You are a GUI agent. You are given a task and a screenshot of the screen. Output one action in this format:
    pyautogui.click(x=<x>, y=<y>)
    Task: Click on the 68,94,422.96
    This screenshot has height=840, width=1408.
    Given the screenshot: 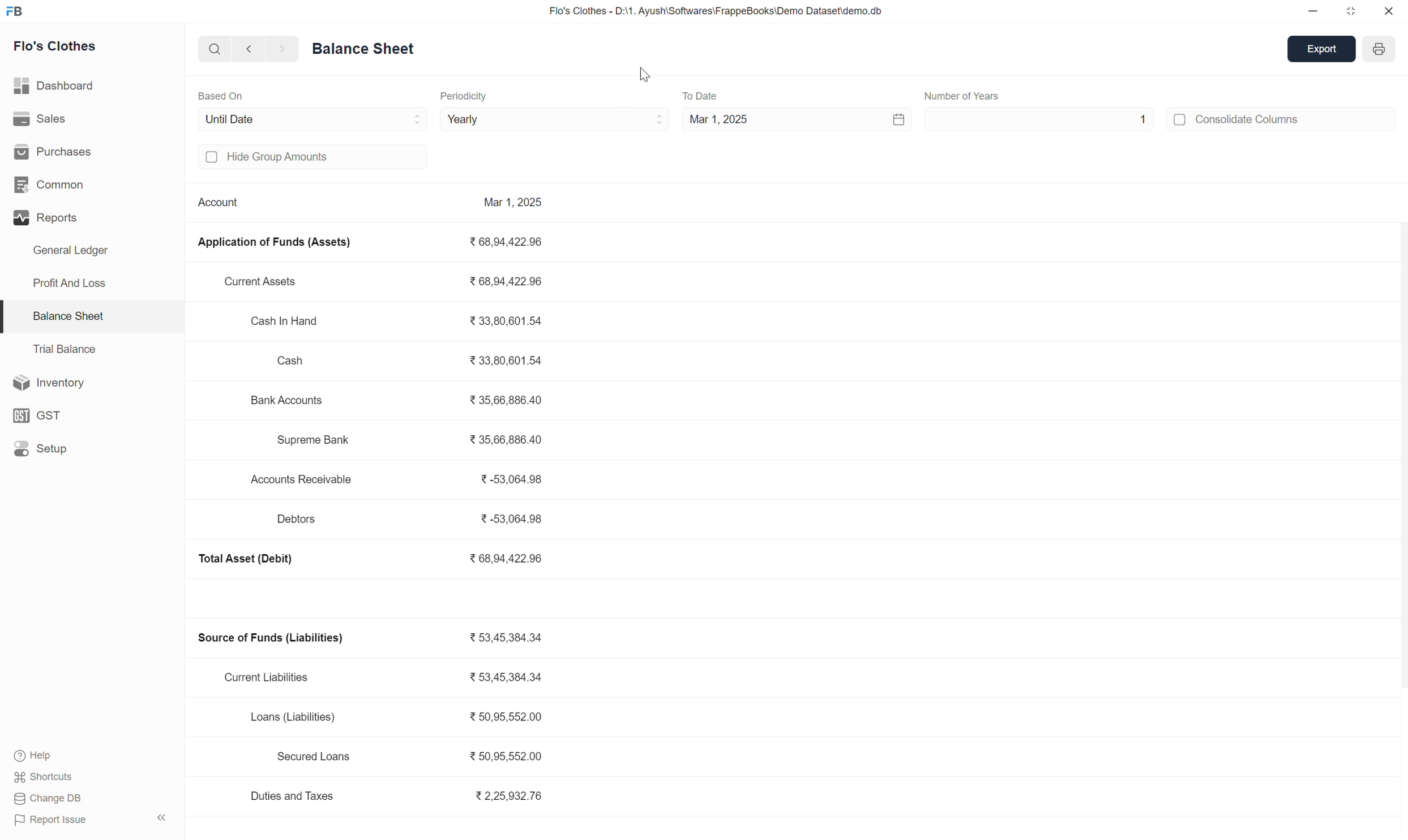 What is the action you would take?
    pyautogui.click(x=508, y=560)
    